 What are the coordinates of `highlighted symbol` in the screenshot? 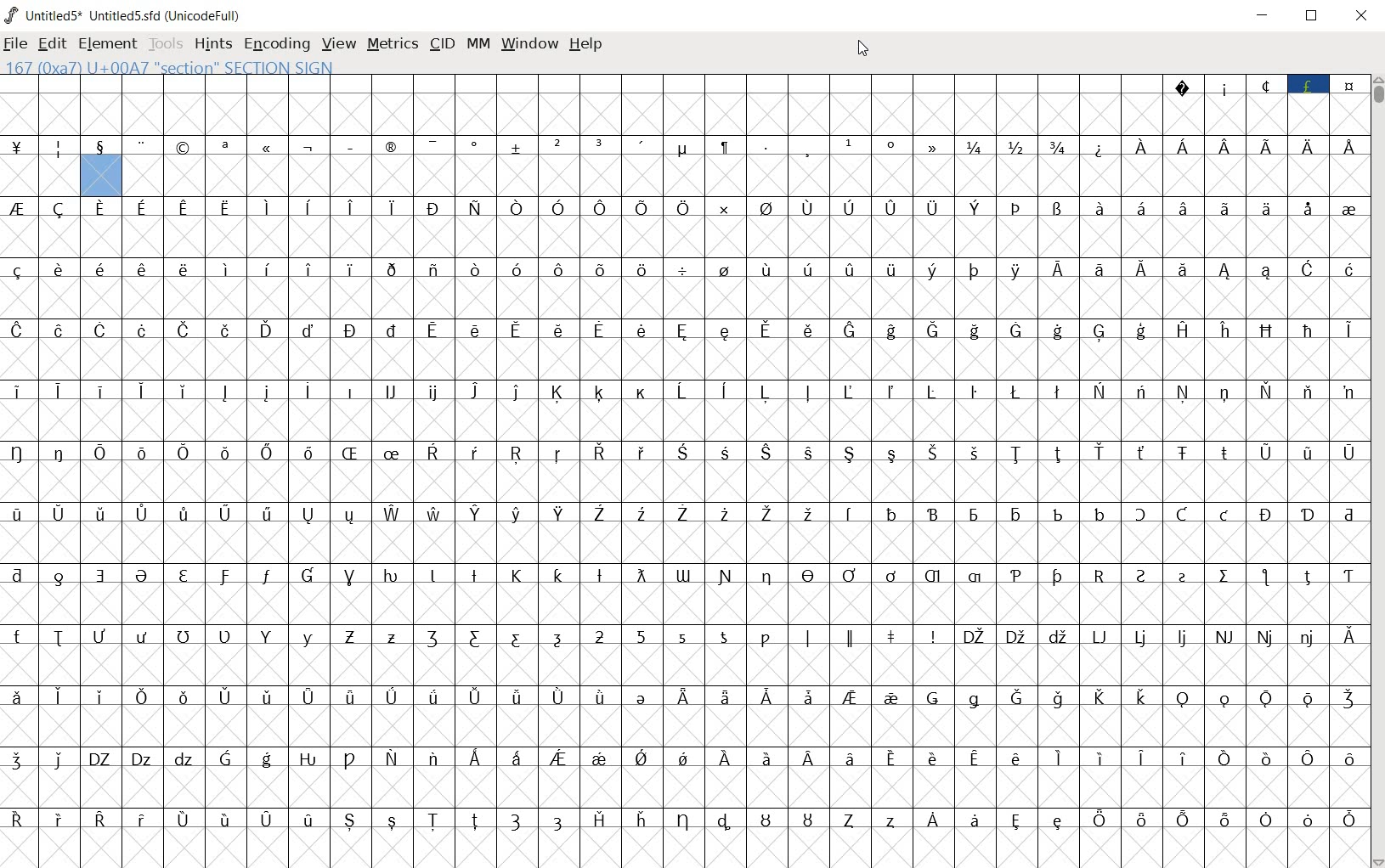 It's located at (392, 410).